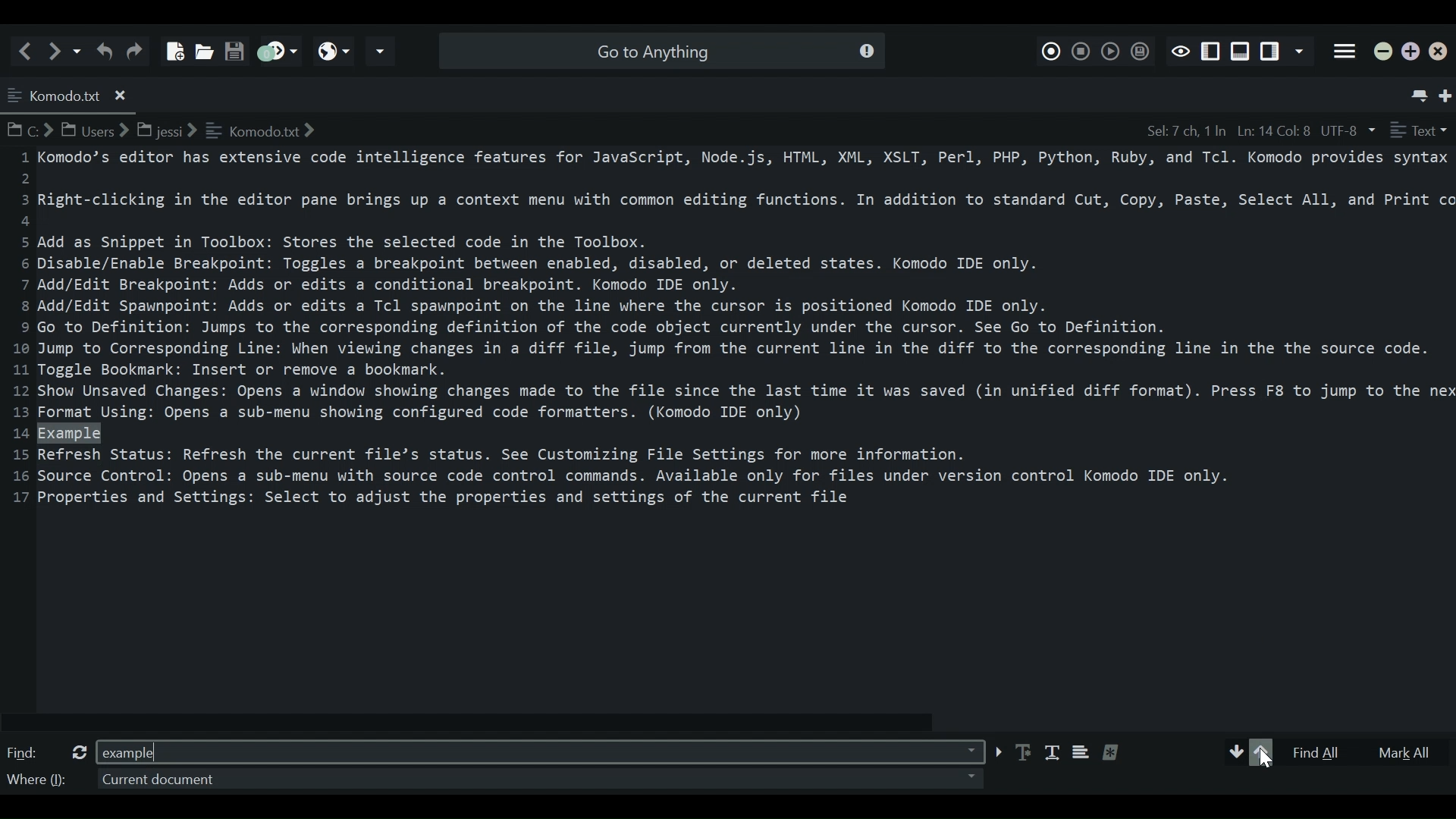 The image size is (1456, 819). Describe the element at coordinates (78, 50) in the screenshot. I see `Recent locations` at that location.